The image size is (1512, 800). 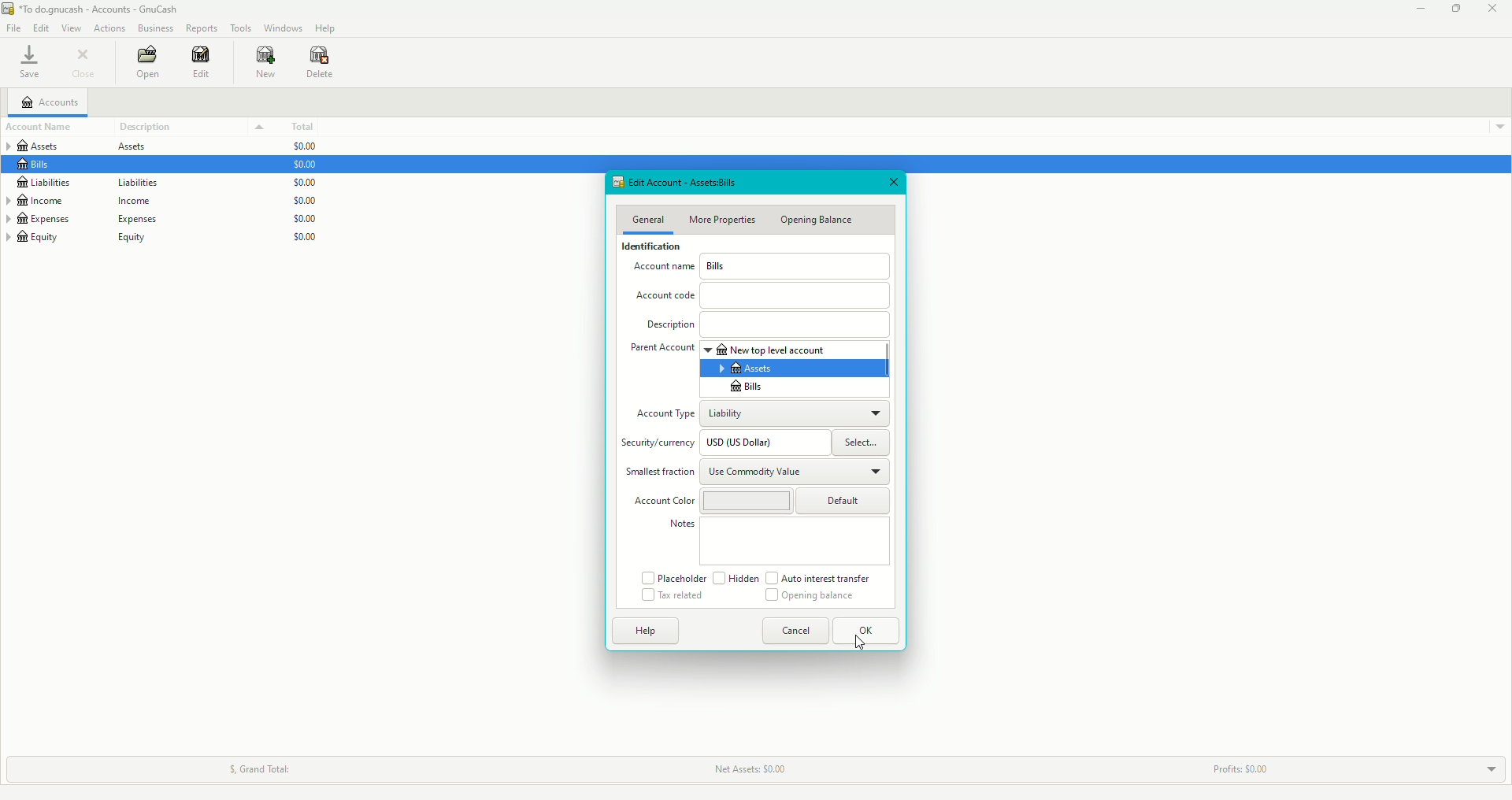 I want to click on Edit Account, so click(x=665, y=183).